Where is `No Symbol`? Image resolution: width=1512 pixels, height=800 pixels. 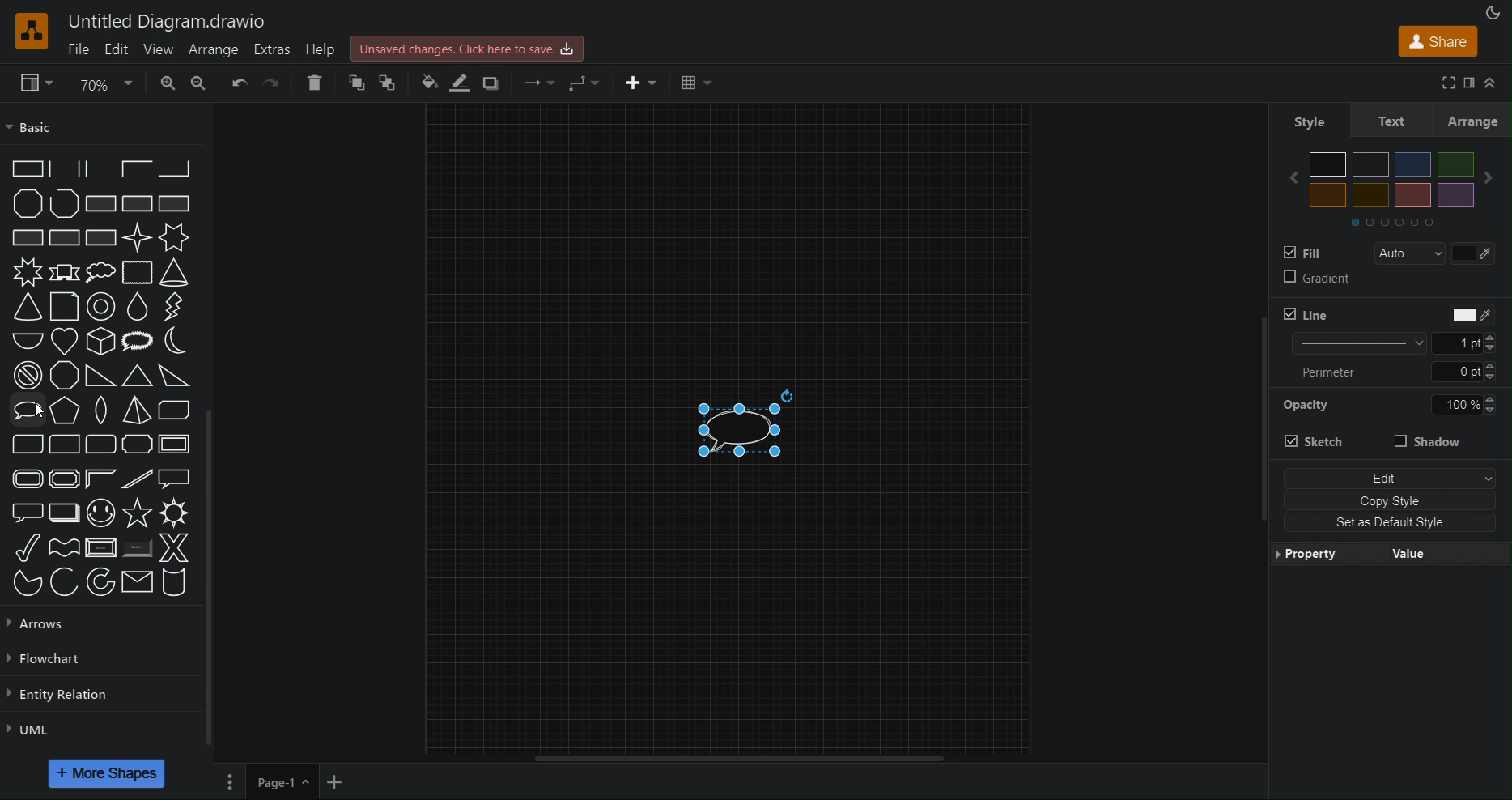 No Symbol is located at coordinates (25, 374).